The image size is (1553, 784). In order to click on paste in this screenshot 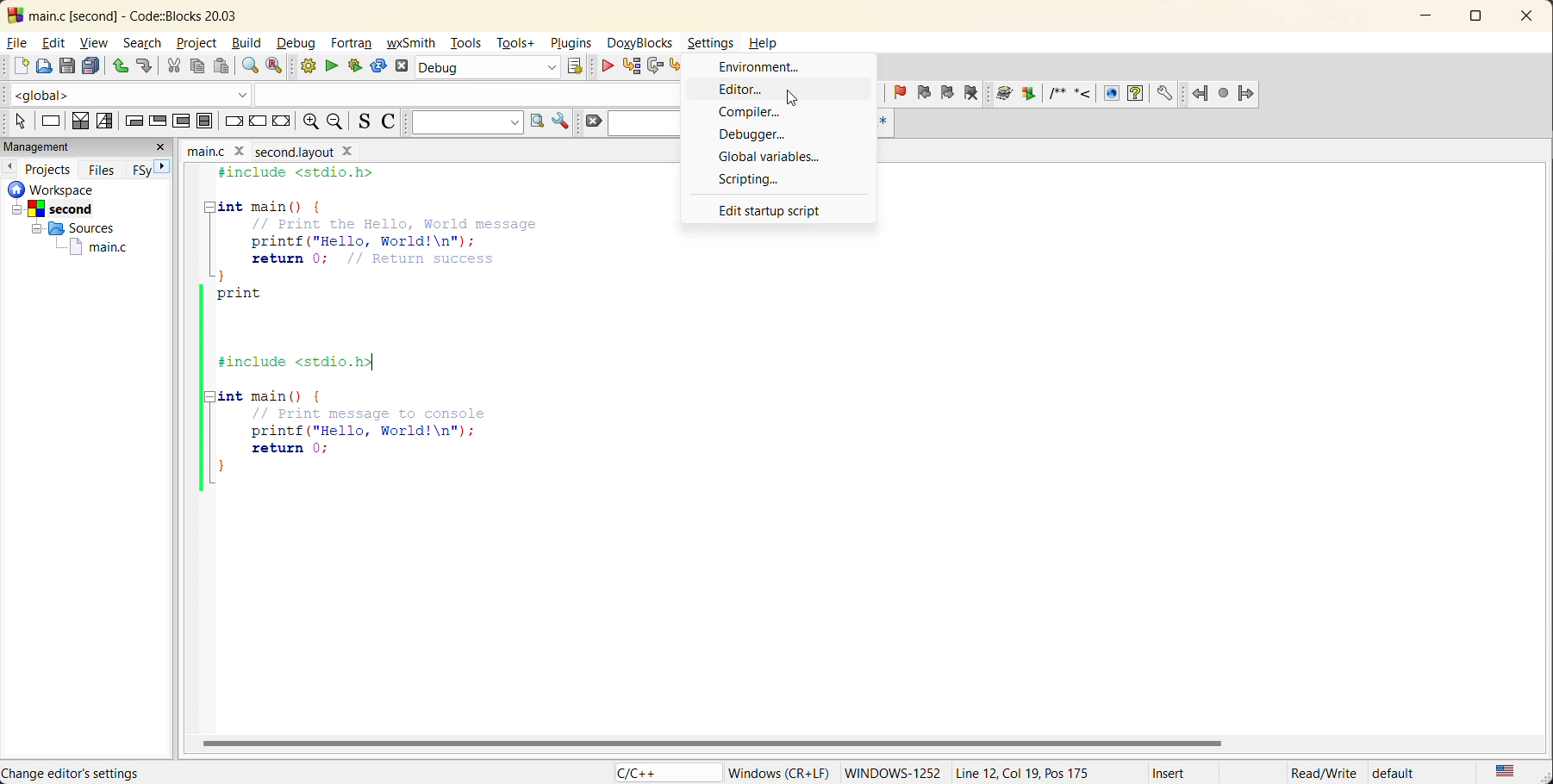, I will do `click(221, 66)`.